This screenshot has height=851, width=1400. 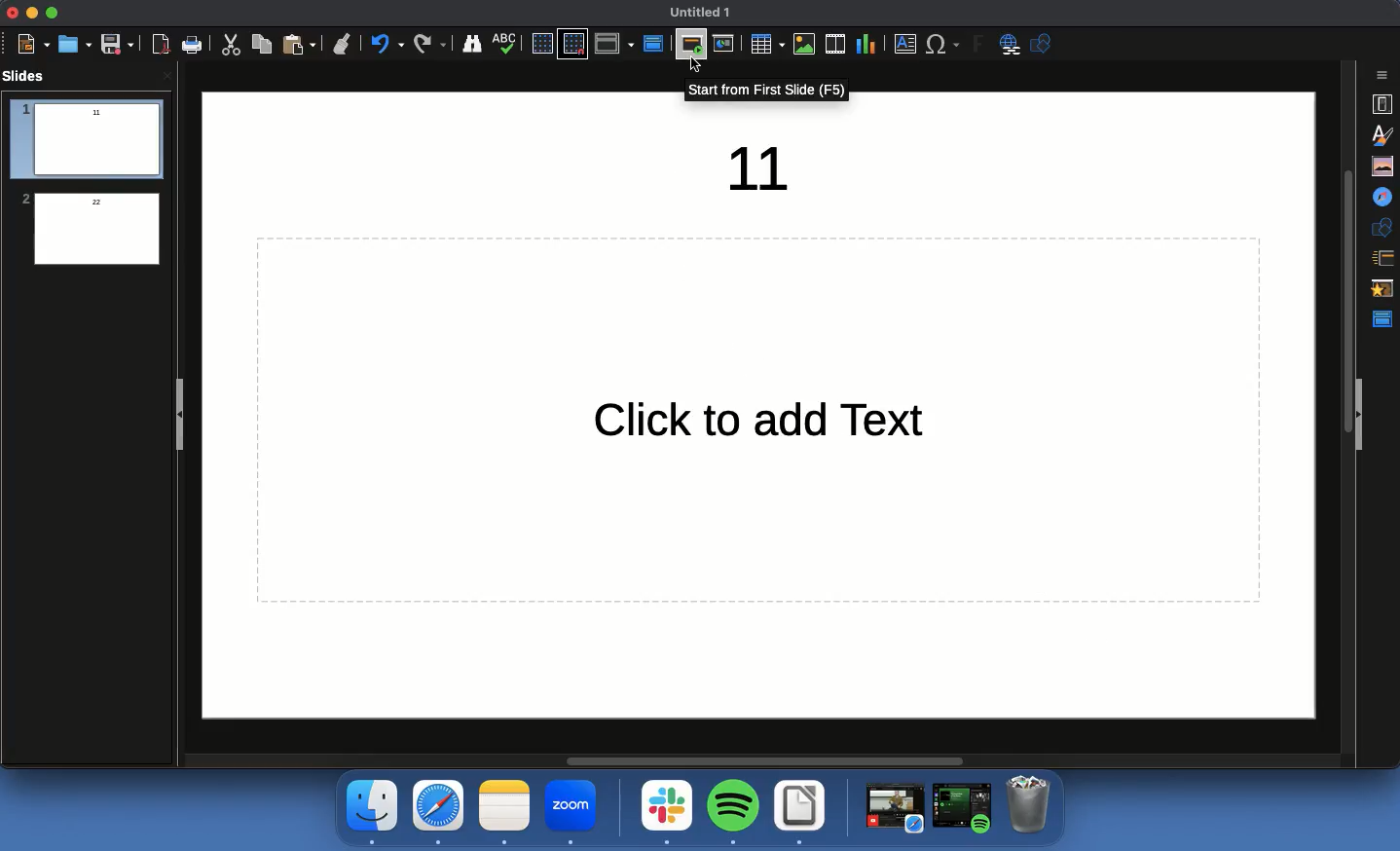 I want to click on Start from current slide, so click(x=724, y=44).